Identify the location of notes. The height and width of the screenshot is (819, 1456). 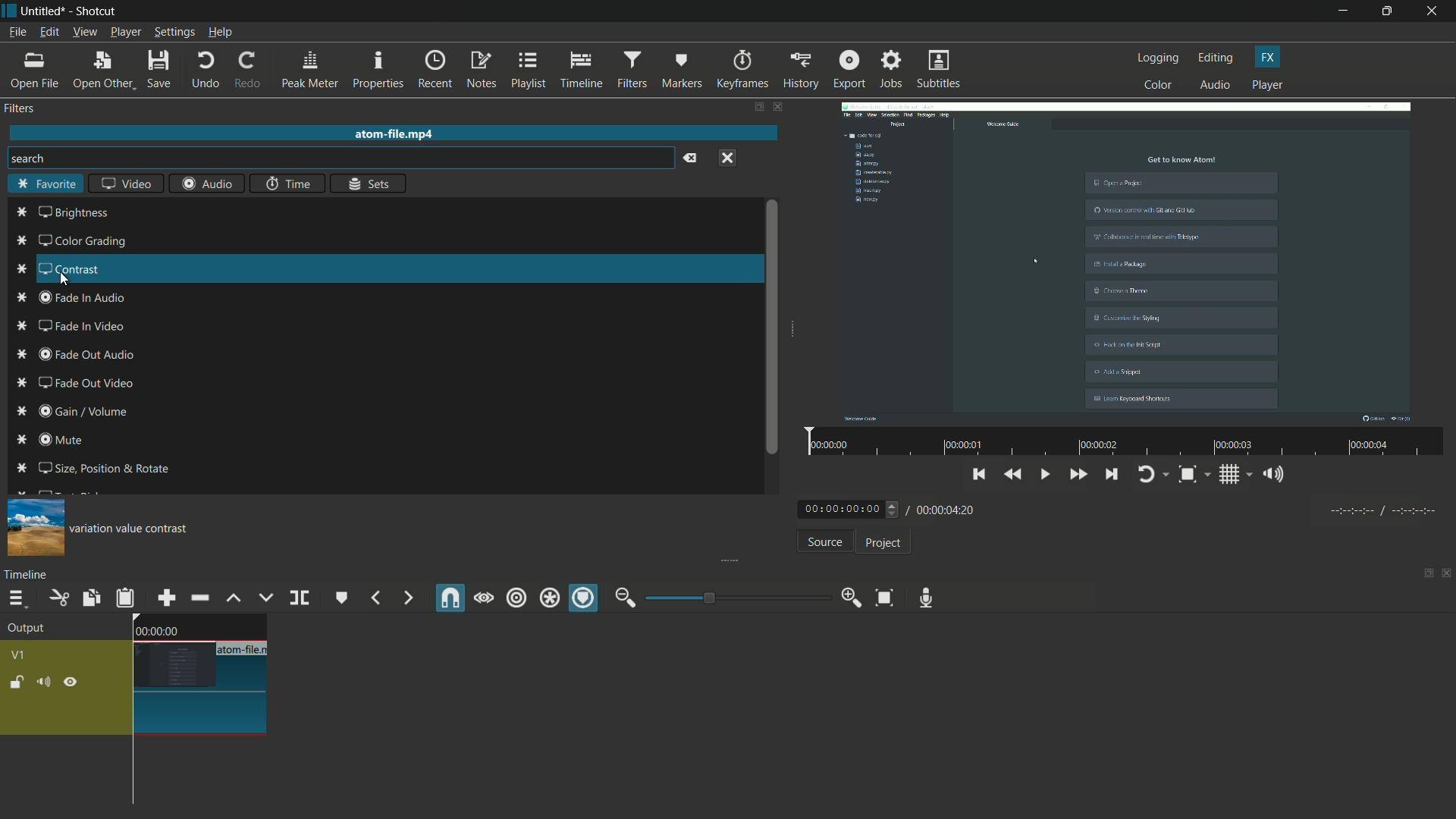
(483, 71).